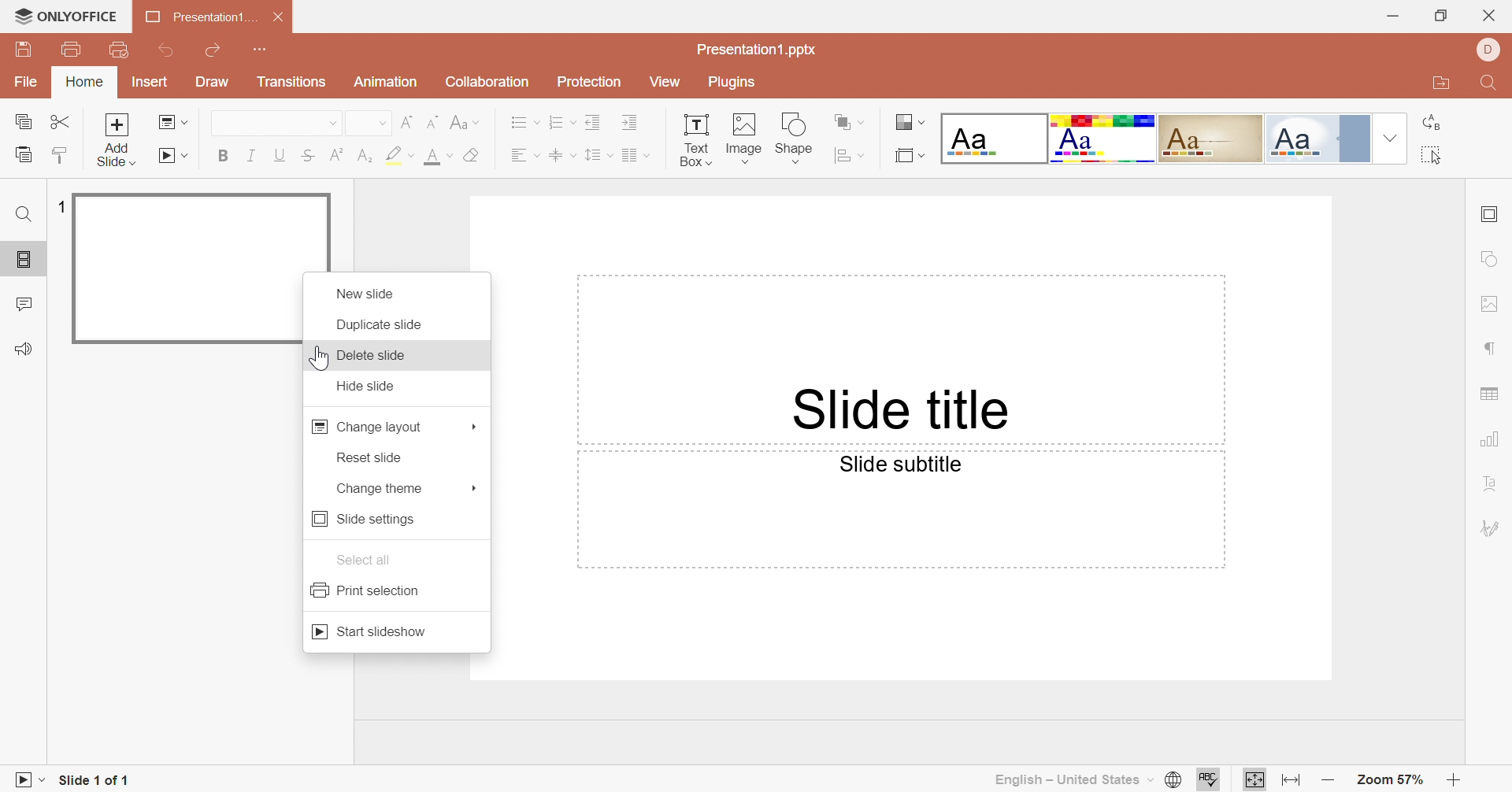 The image size is (1512, 792). Describe the element at coordinates (593, 154) in the screenshot. I see `Line spacing` at that location.